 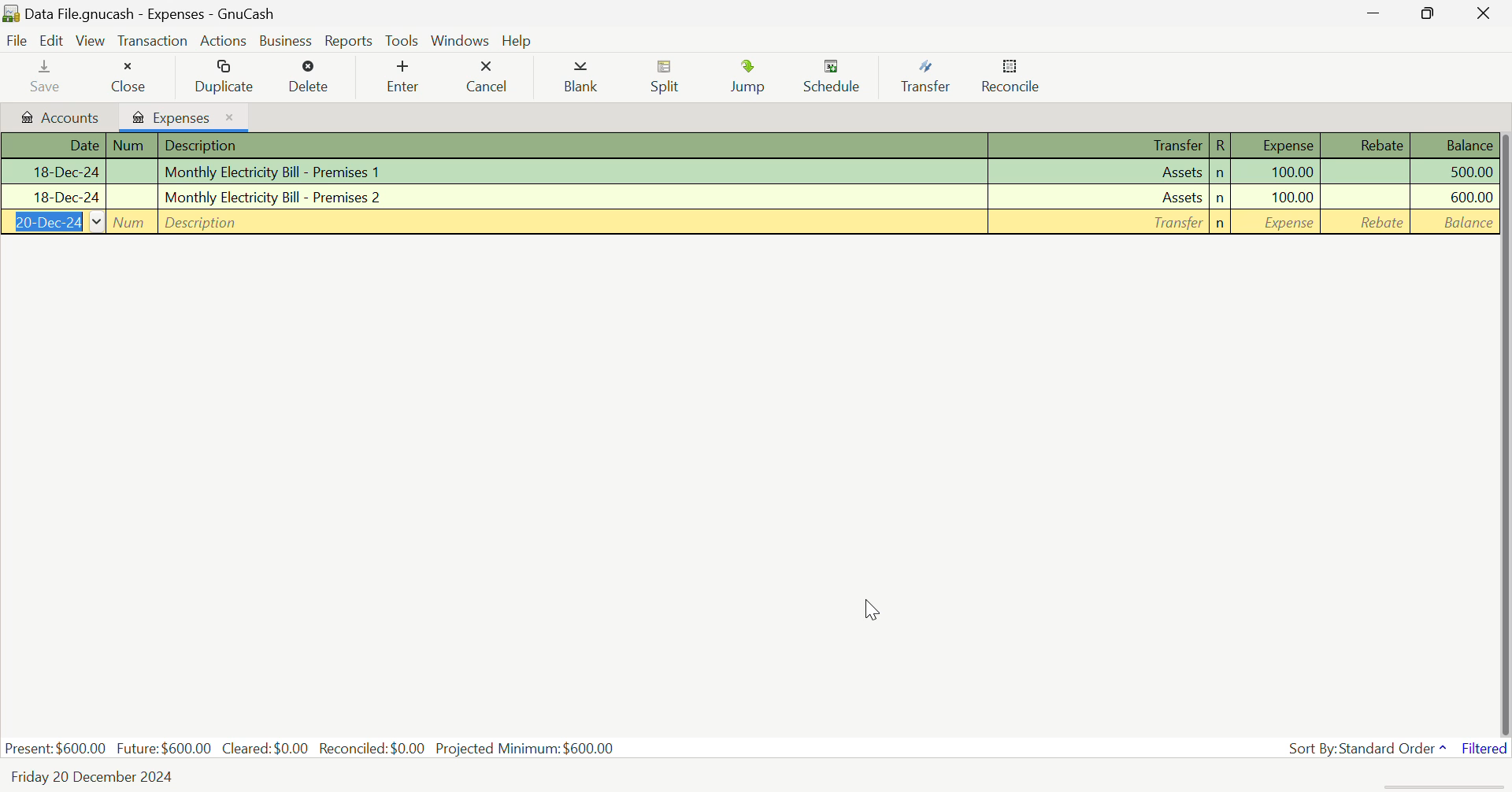 I want to click on Blank, so click(x=581, y=79).